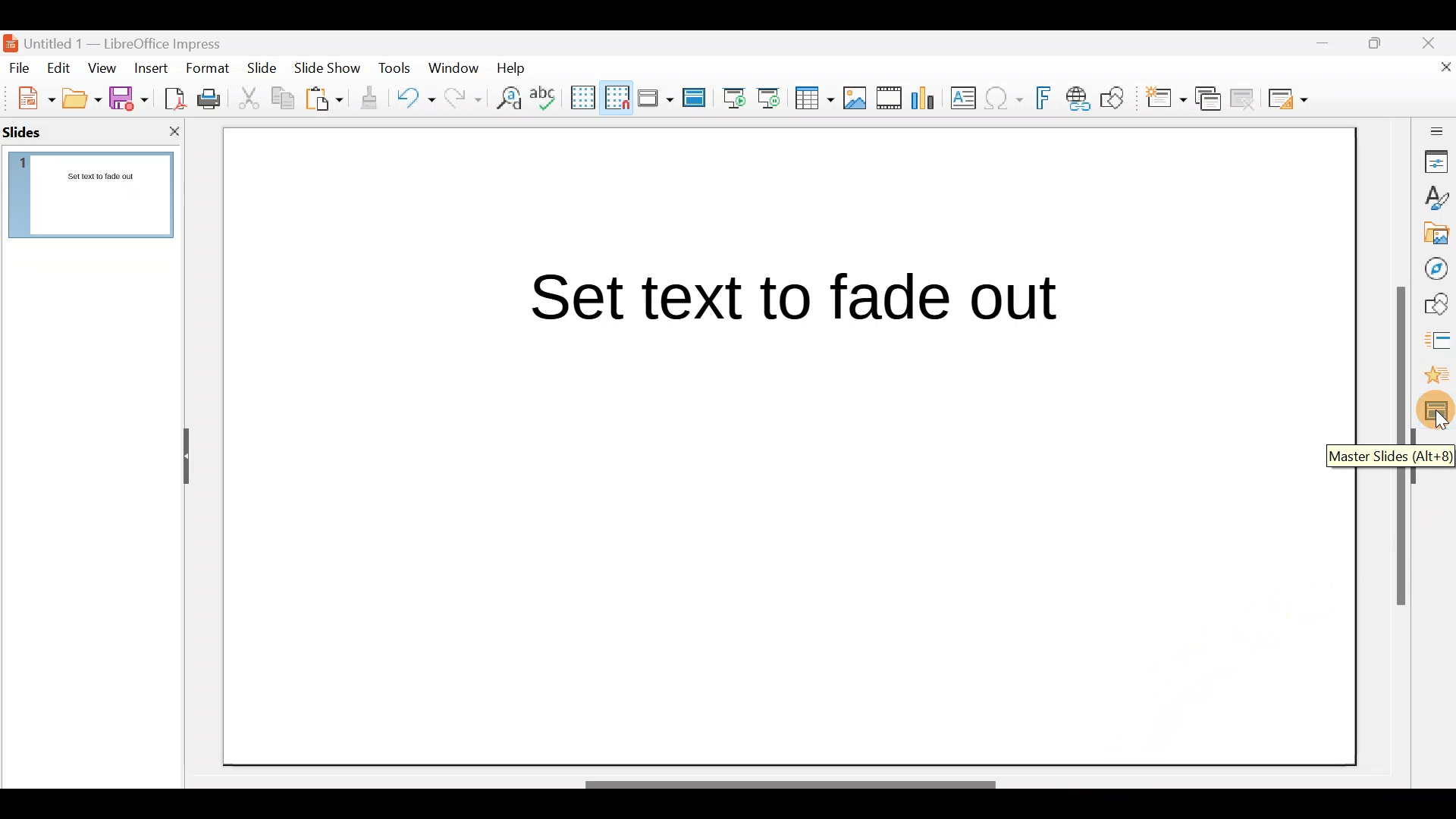 The image size is (1456, 819). What do you see at coordinates (61, 68) in the screenshot?
I see `Edit` at bounding box center [61, 68].